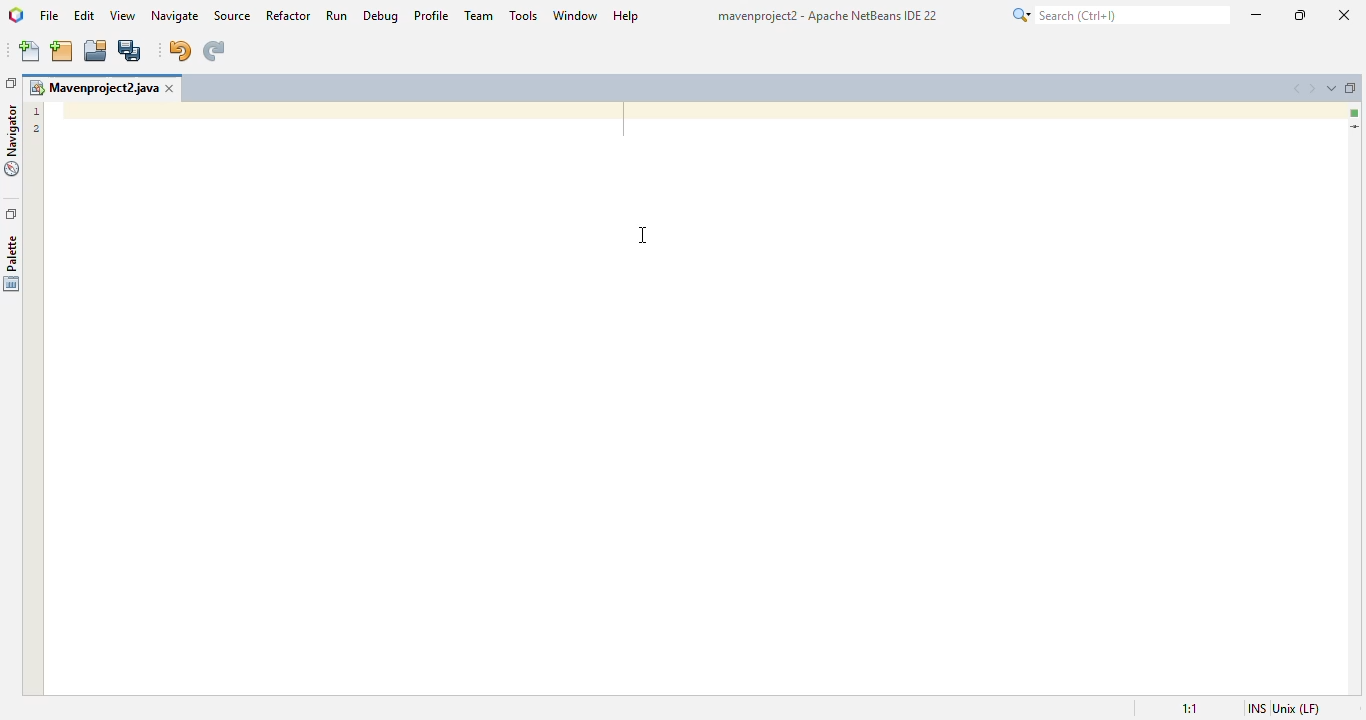  I want to click on undo, so click(181, 51).